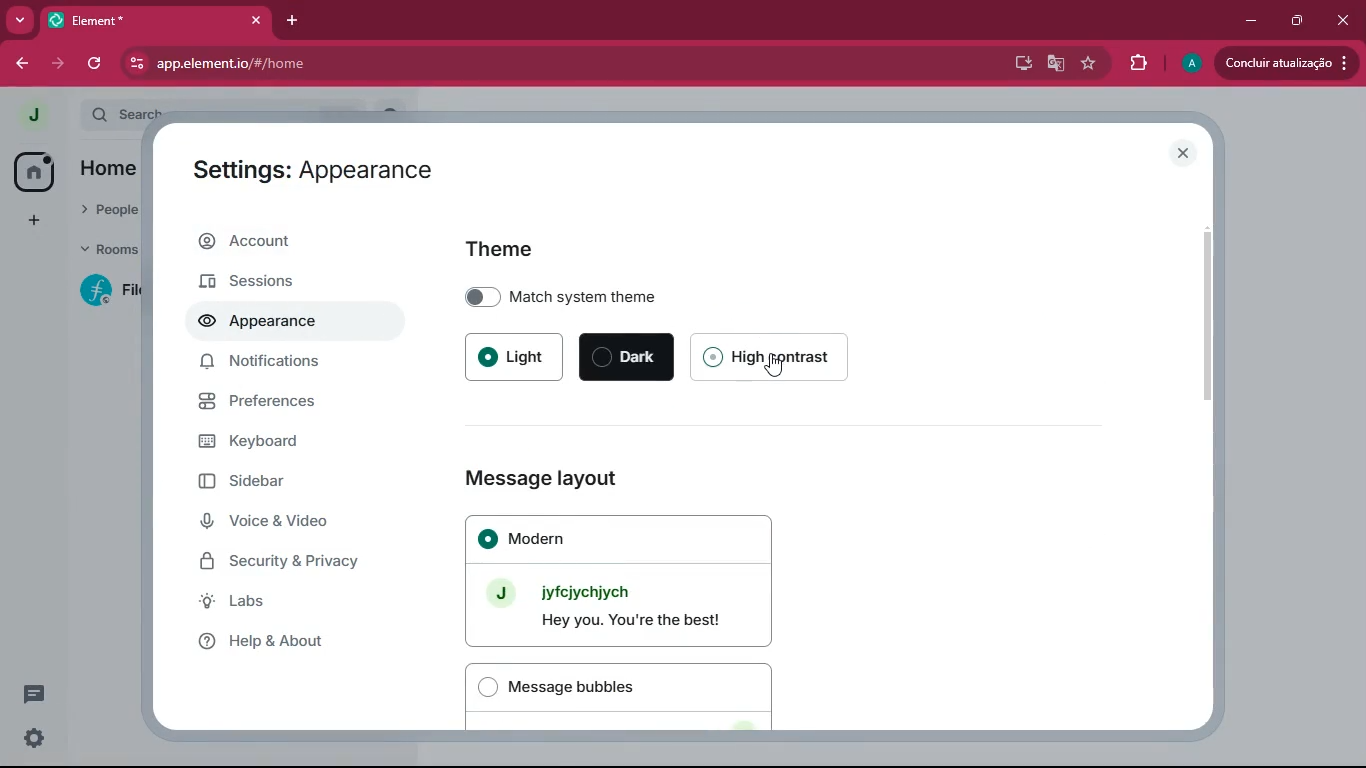 The height and width of the screenshot is (768, 1366). What do you see at coordinates (31, 115) in the screenshot?
I see `profile picture` at bounding box center [31, 115].